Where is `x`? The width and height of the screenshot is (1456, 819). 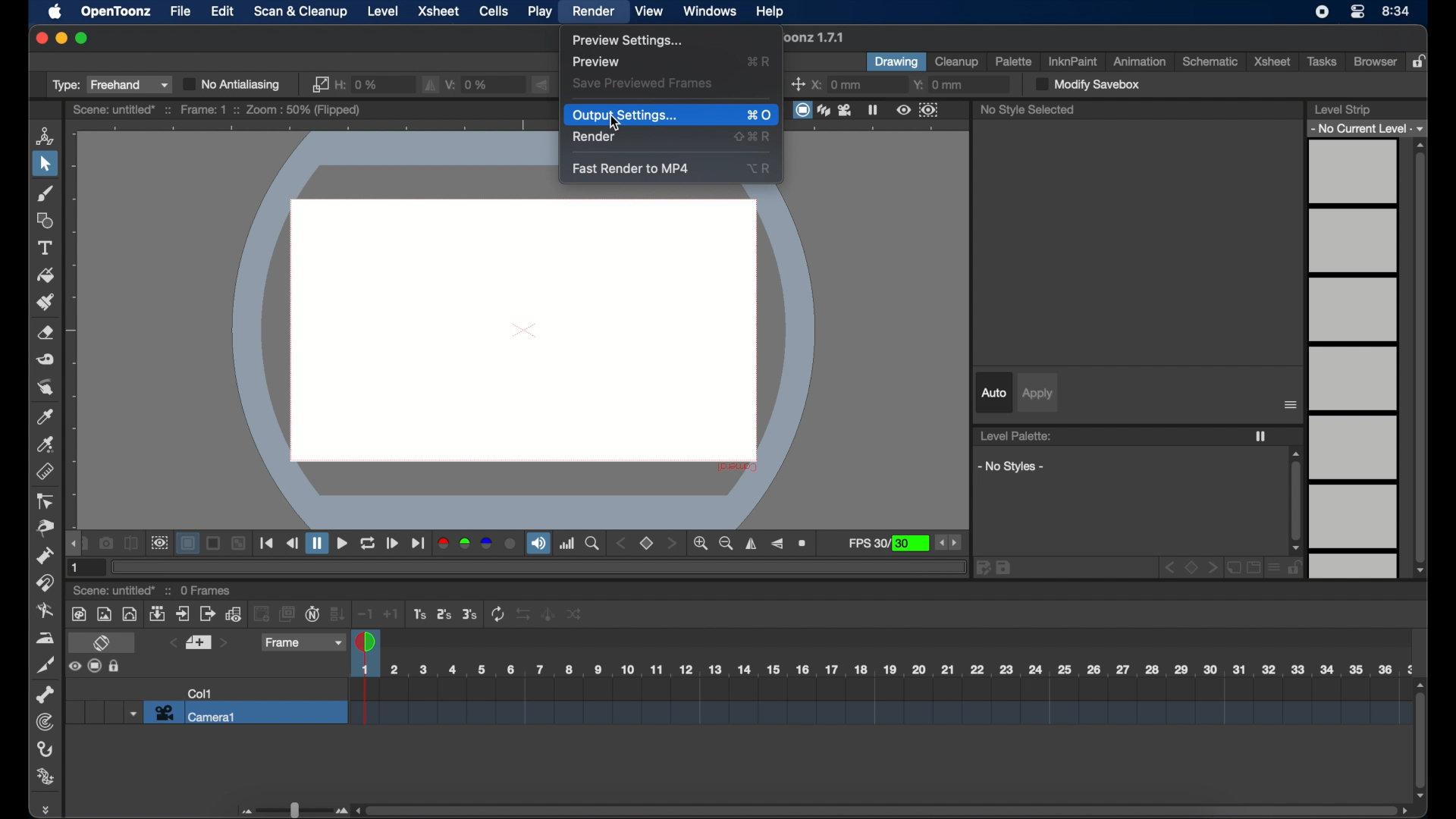 x is located at coordinates (836, 84).